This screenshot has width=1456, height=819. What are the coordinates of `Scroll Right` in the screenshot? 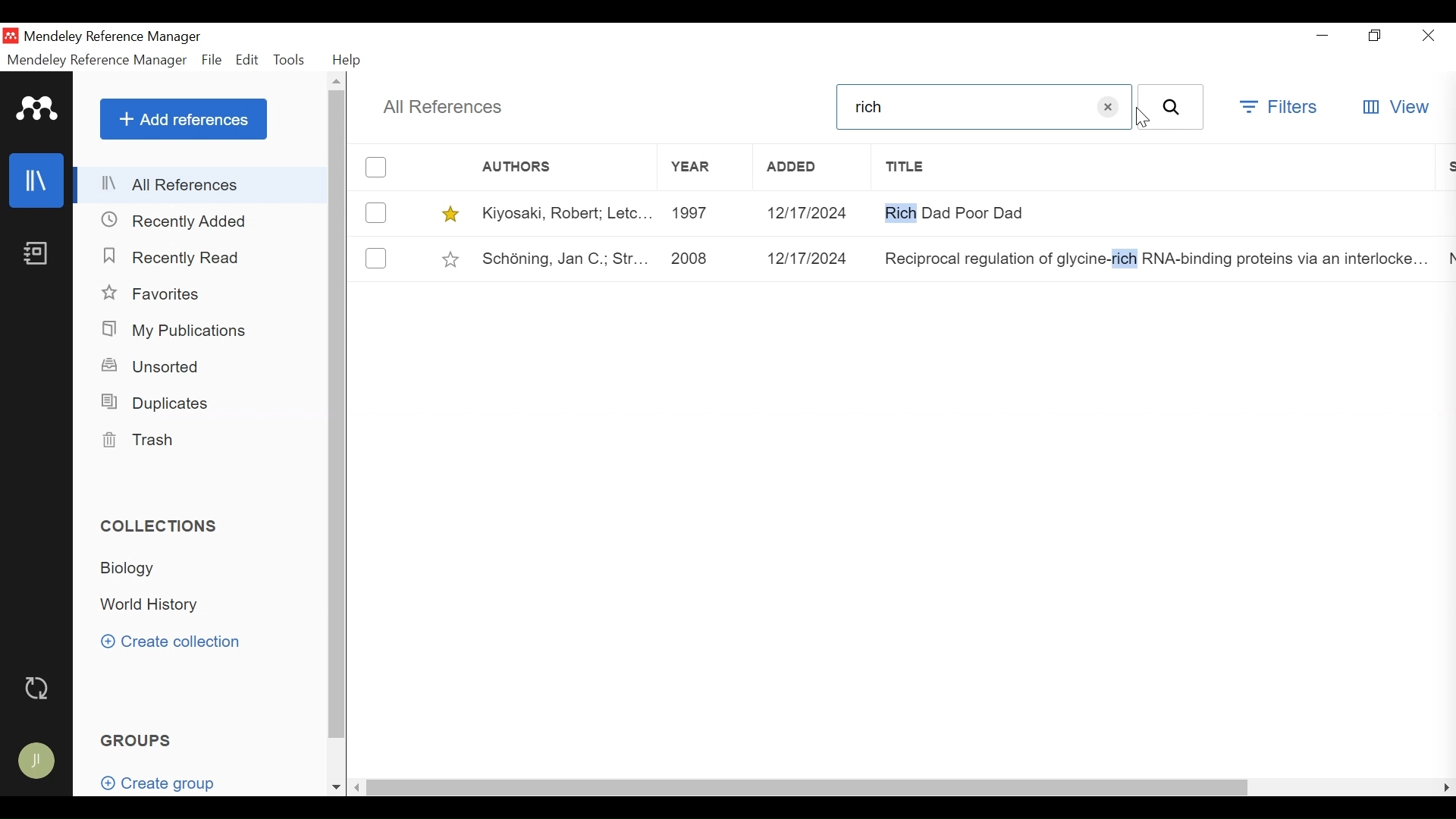 It's located at (1444, 789).